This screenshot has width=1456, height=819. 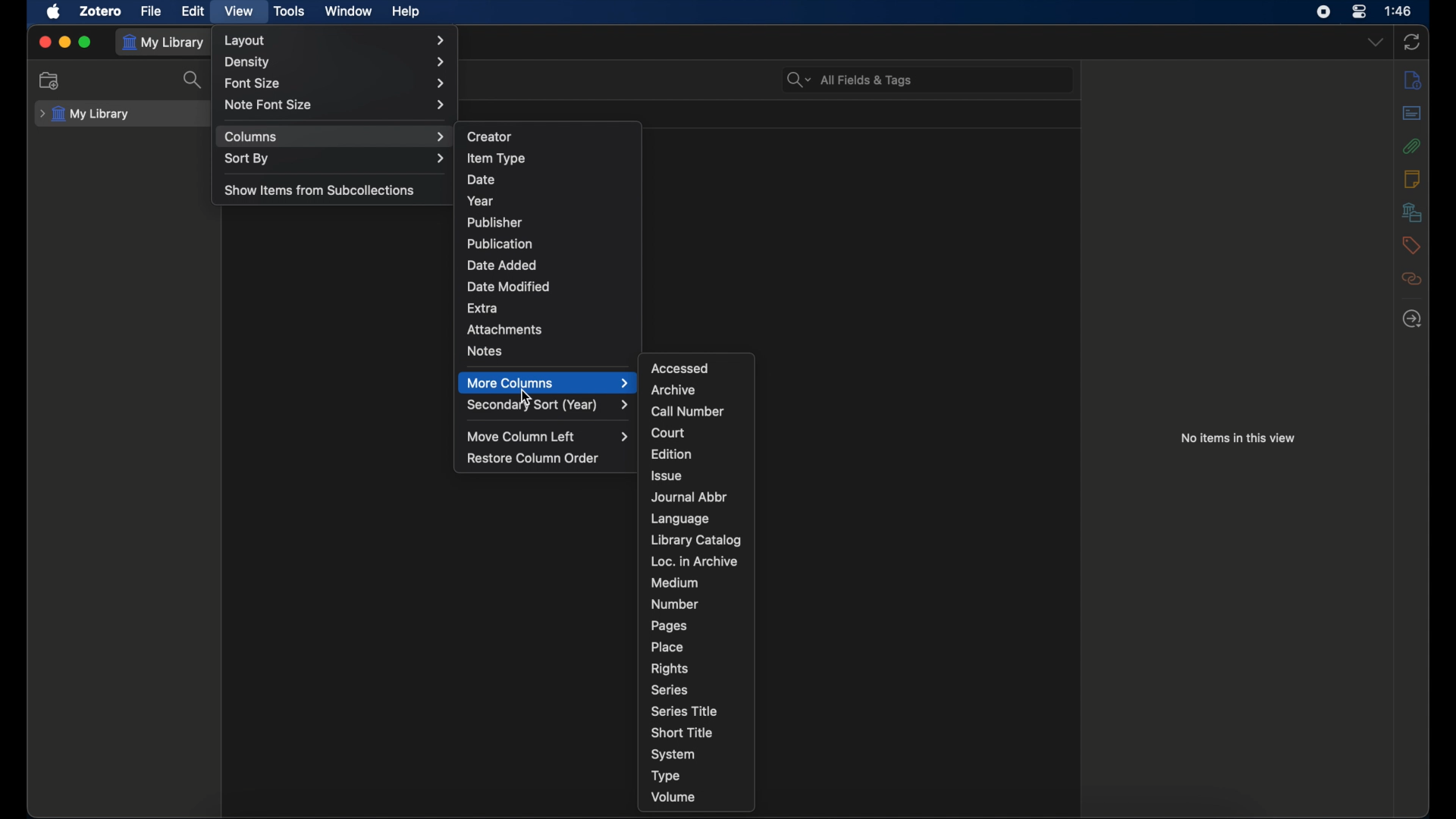 What do you see at coordinates (1411, 42) in the screenshot?
I see `sync` at bounding box center [1411, 42].